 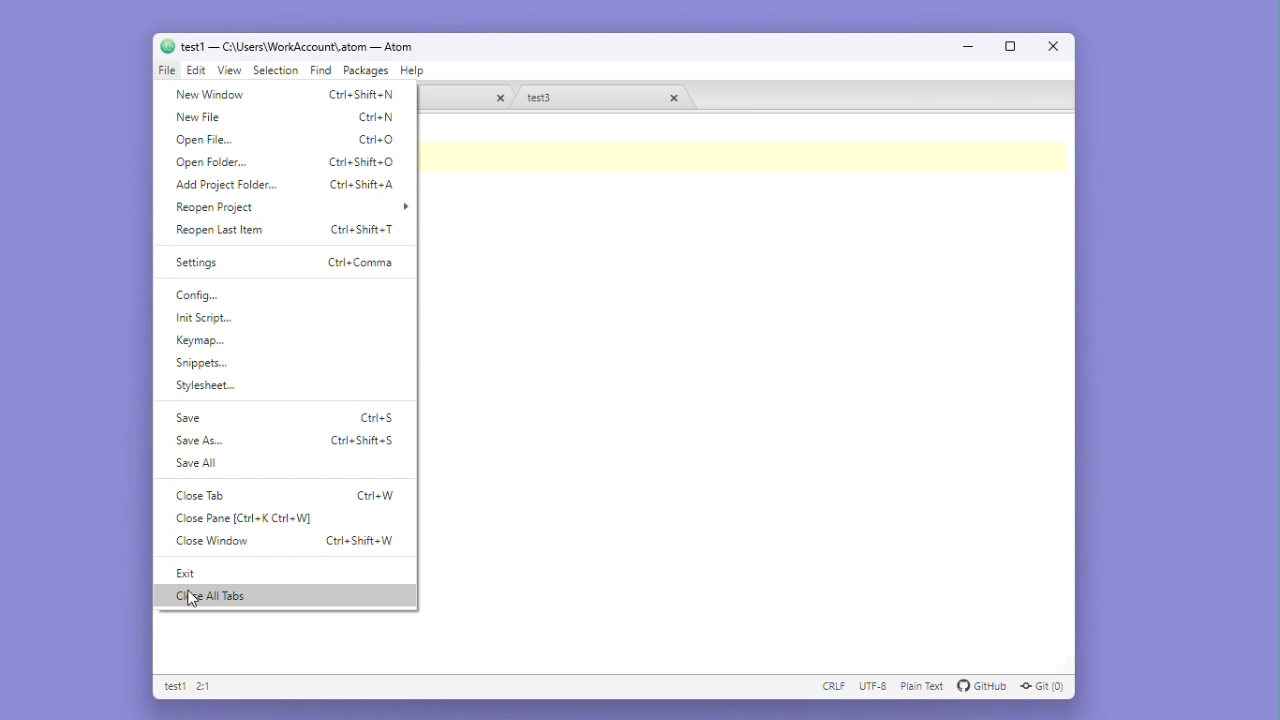 What do you see at coordinates (213, 94) in the screenshot?
I see `New window` at bounding box center [213, 94].